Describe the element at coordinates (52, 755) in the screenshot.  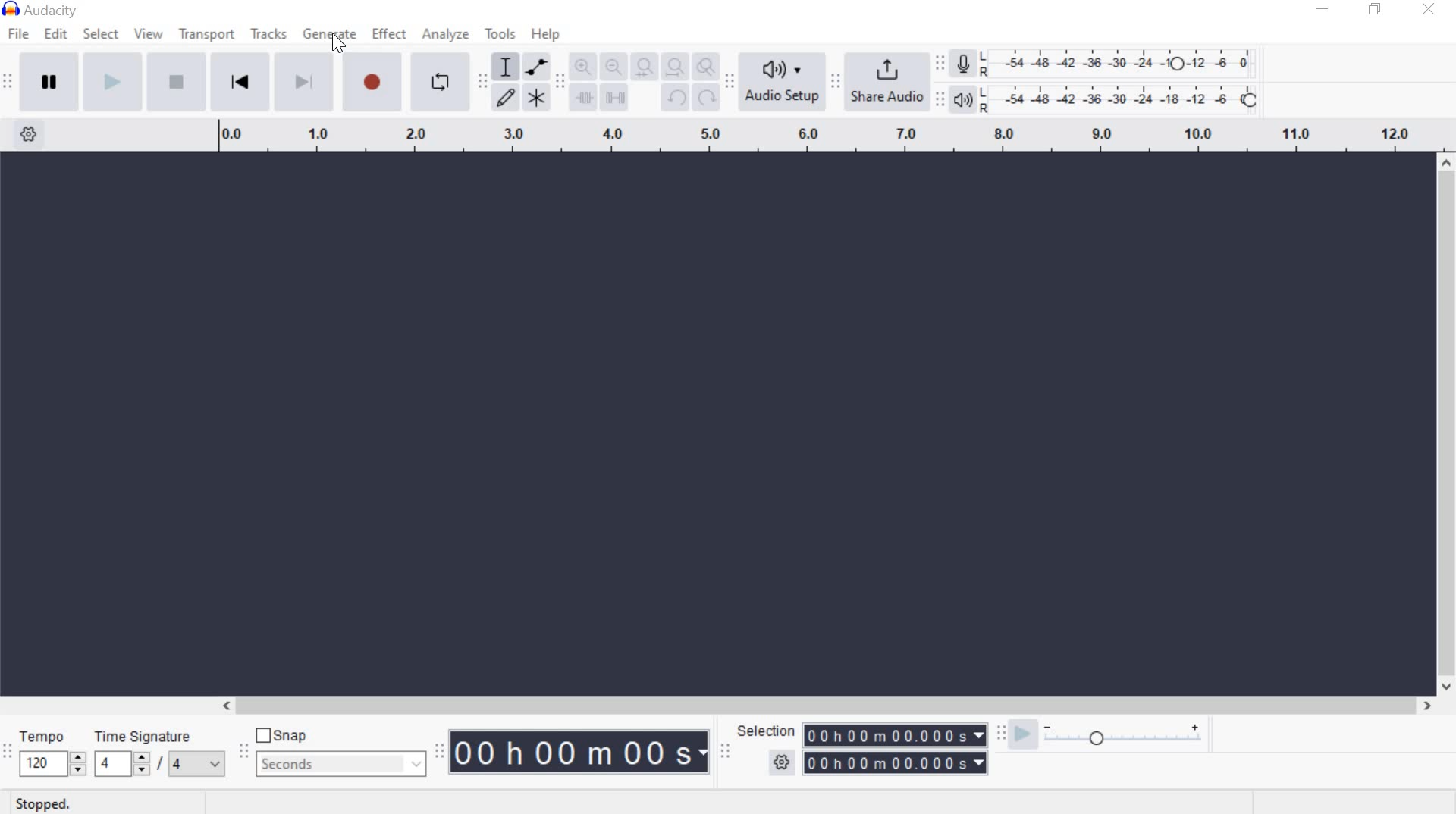
I see `tempo` at that location.